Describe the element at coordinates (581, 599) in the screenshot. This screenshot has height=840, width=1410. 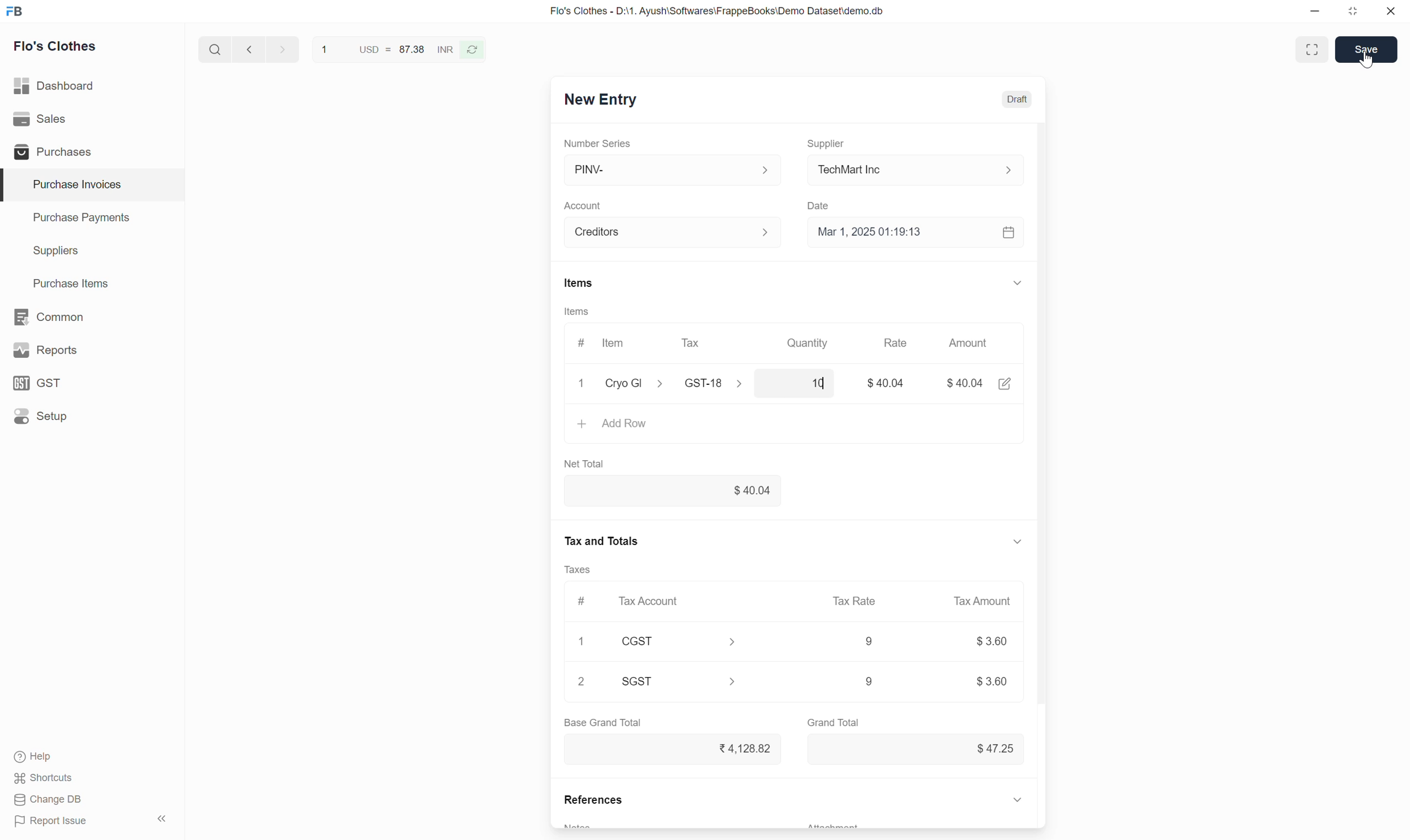
I see `#` at that location.